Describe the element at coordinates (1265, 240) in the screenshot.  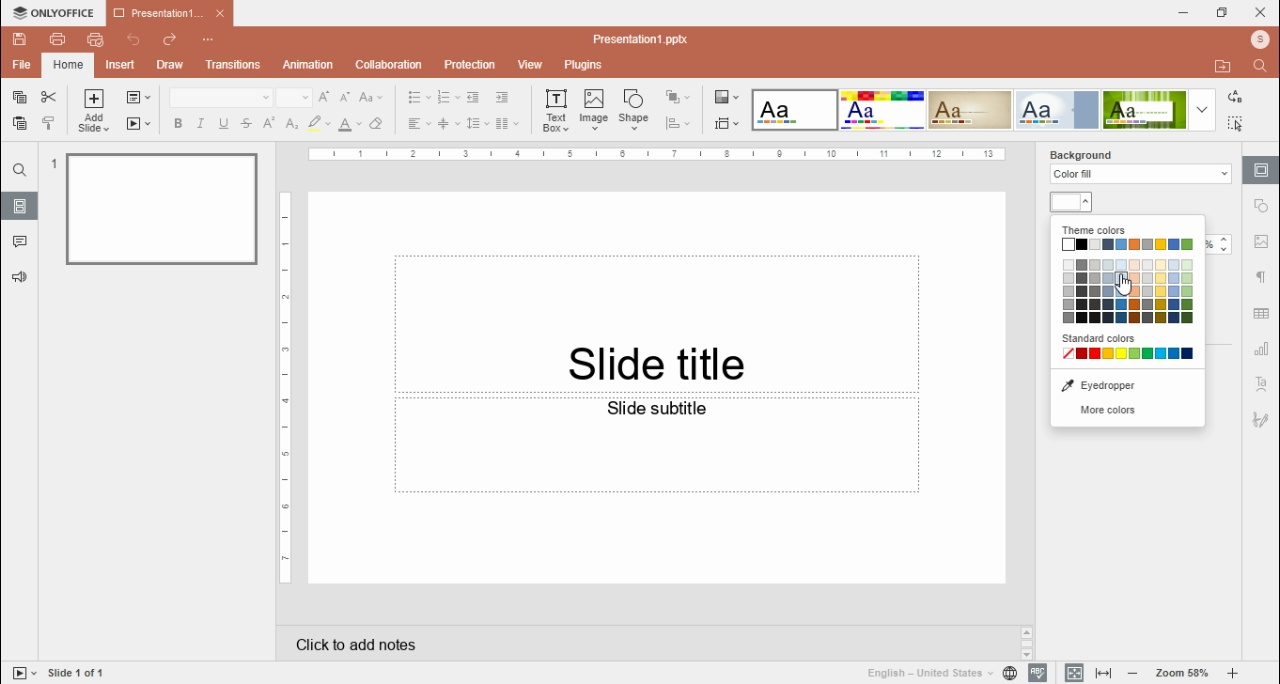
I see `image settings` at that location.